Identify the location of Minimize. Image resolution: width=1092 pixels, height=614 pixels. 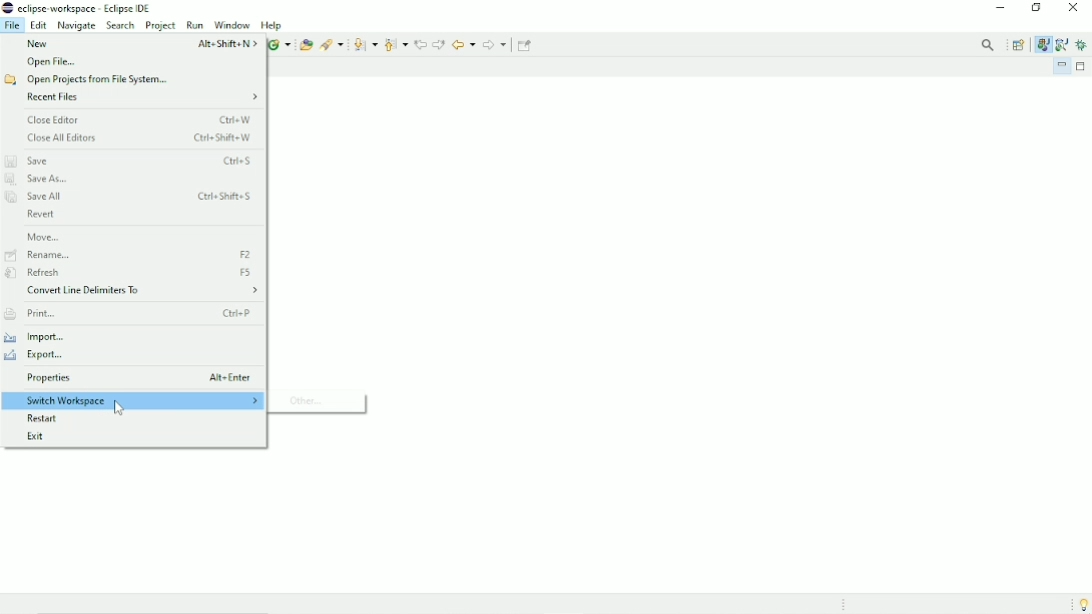
(1000, 9).